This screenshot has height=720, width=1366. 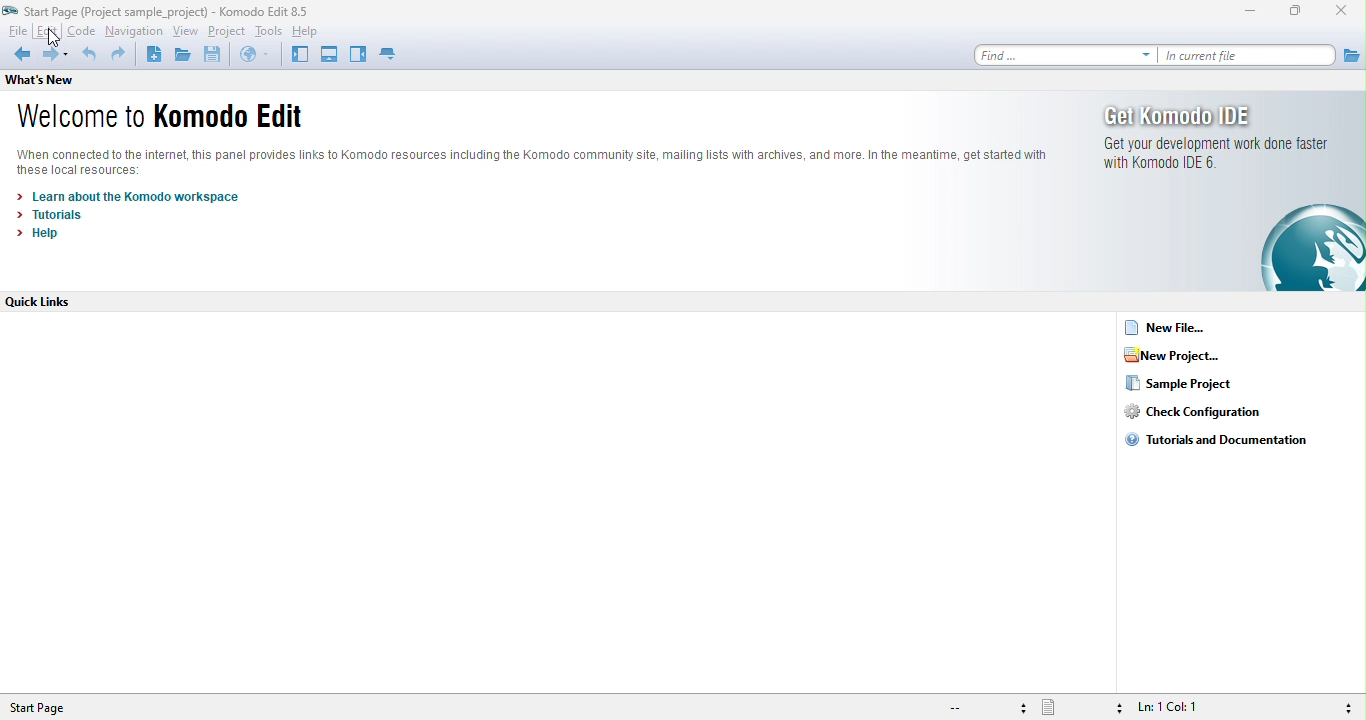 What do you see at coordinates (184, 55) in the screenshot?
I see `open` at bounding box center [184, 55].